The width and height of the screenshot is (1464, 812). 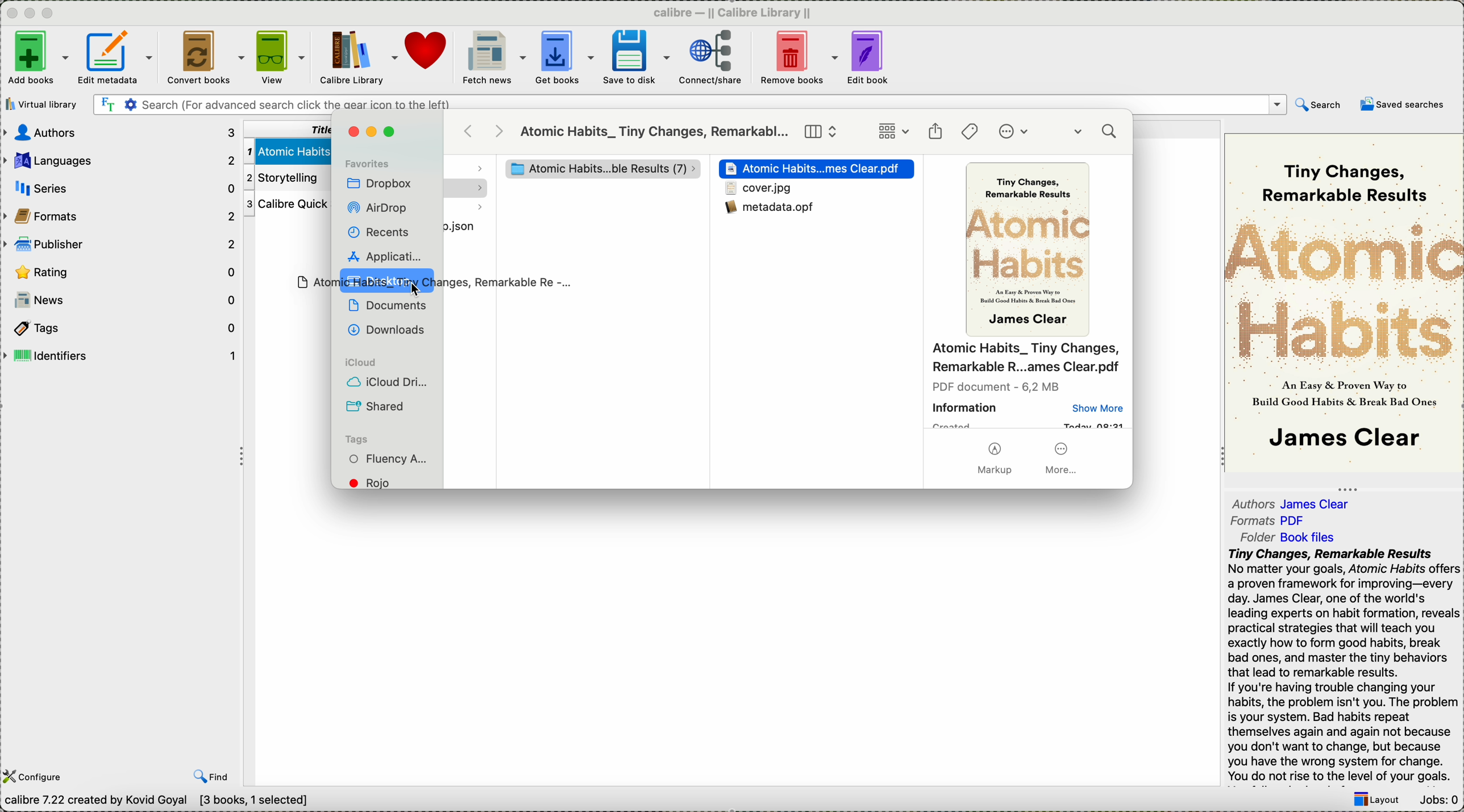 What do you see at coordinates (1063, 458) in the screenshot?
I see `more` at bounding box center [1063, 458].